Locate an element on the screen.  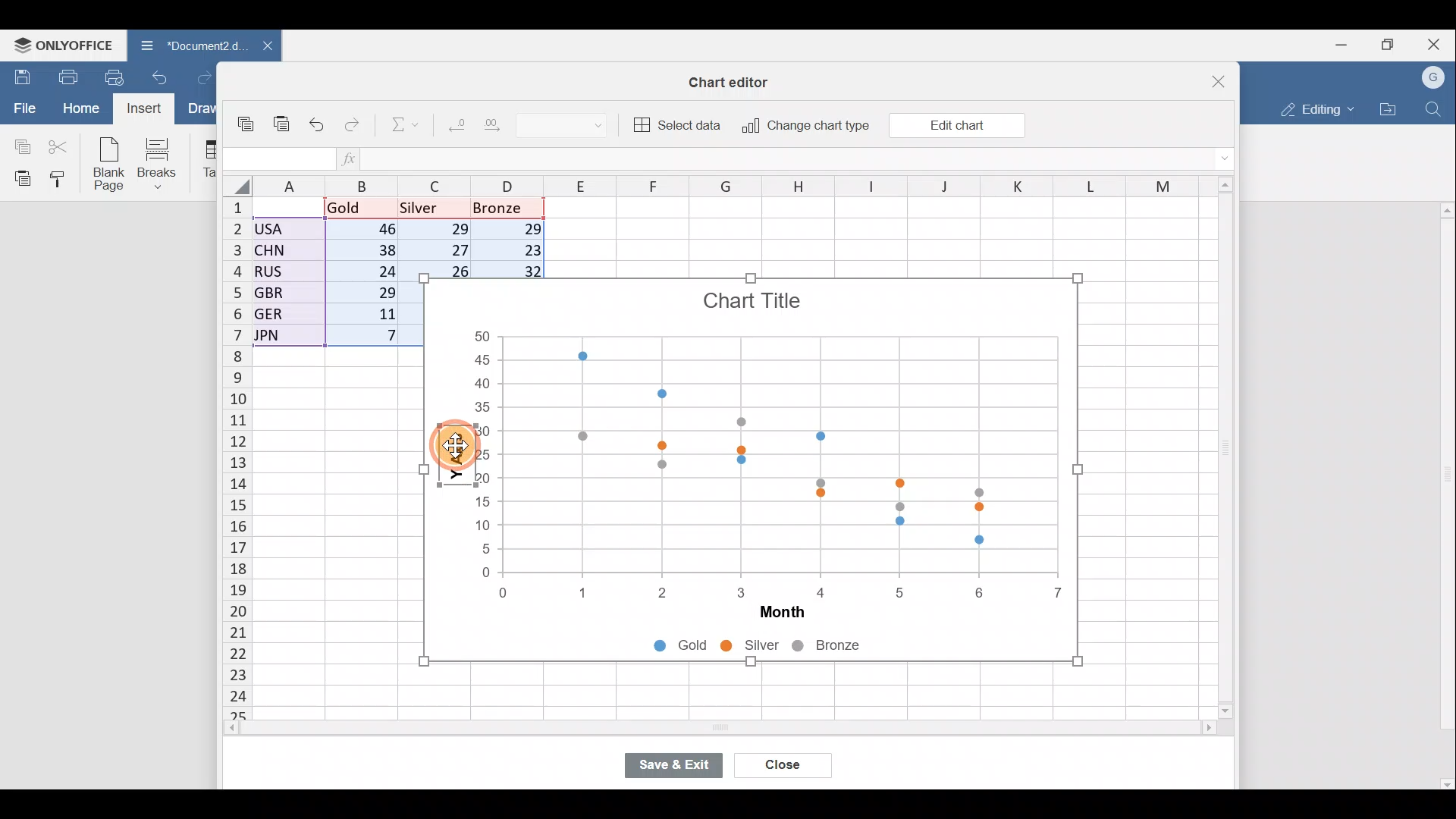
Close is located at coordinates (1209, 77).